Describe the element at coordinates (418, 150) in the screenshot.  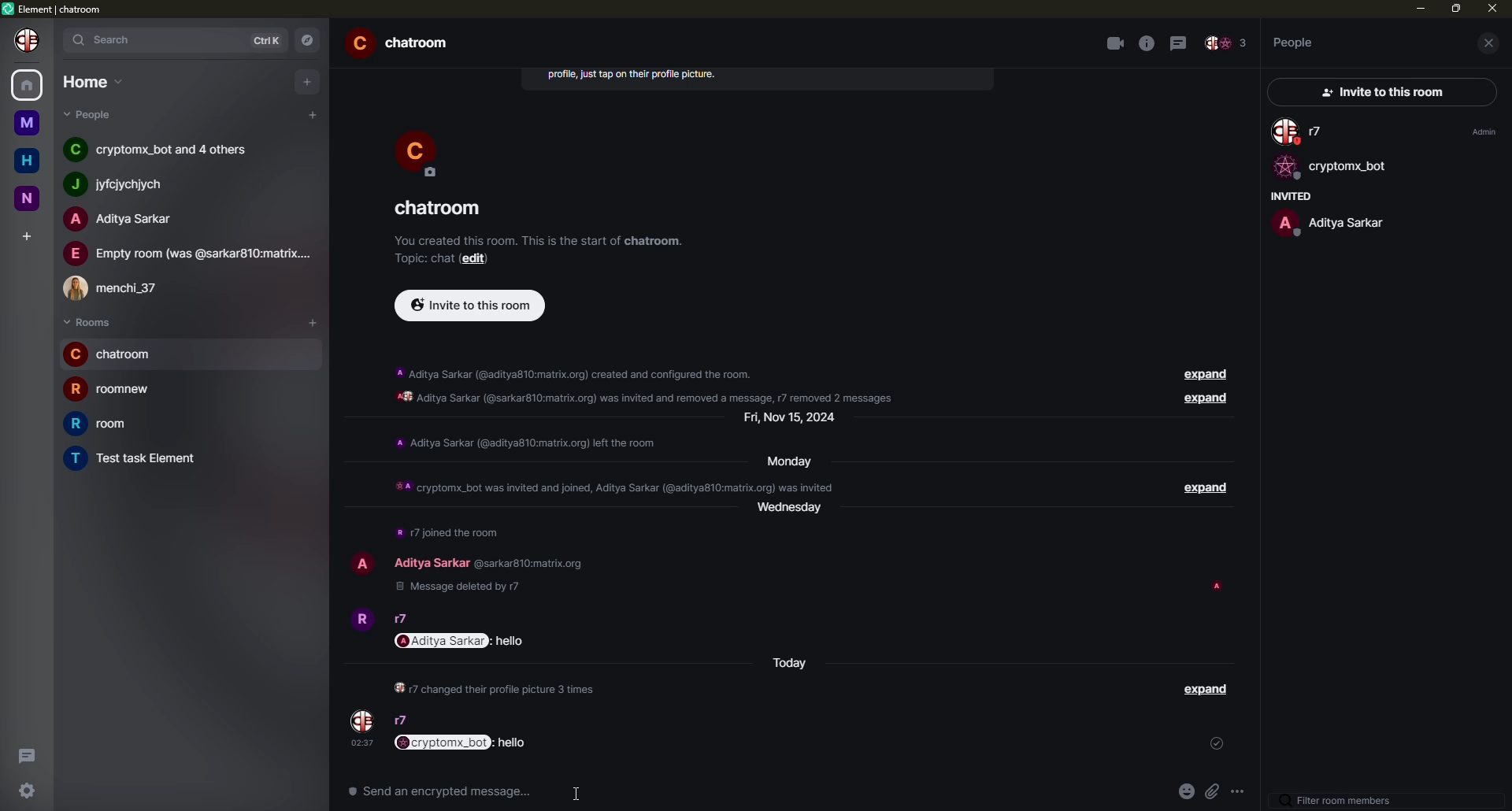
I see `profile` at that location.